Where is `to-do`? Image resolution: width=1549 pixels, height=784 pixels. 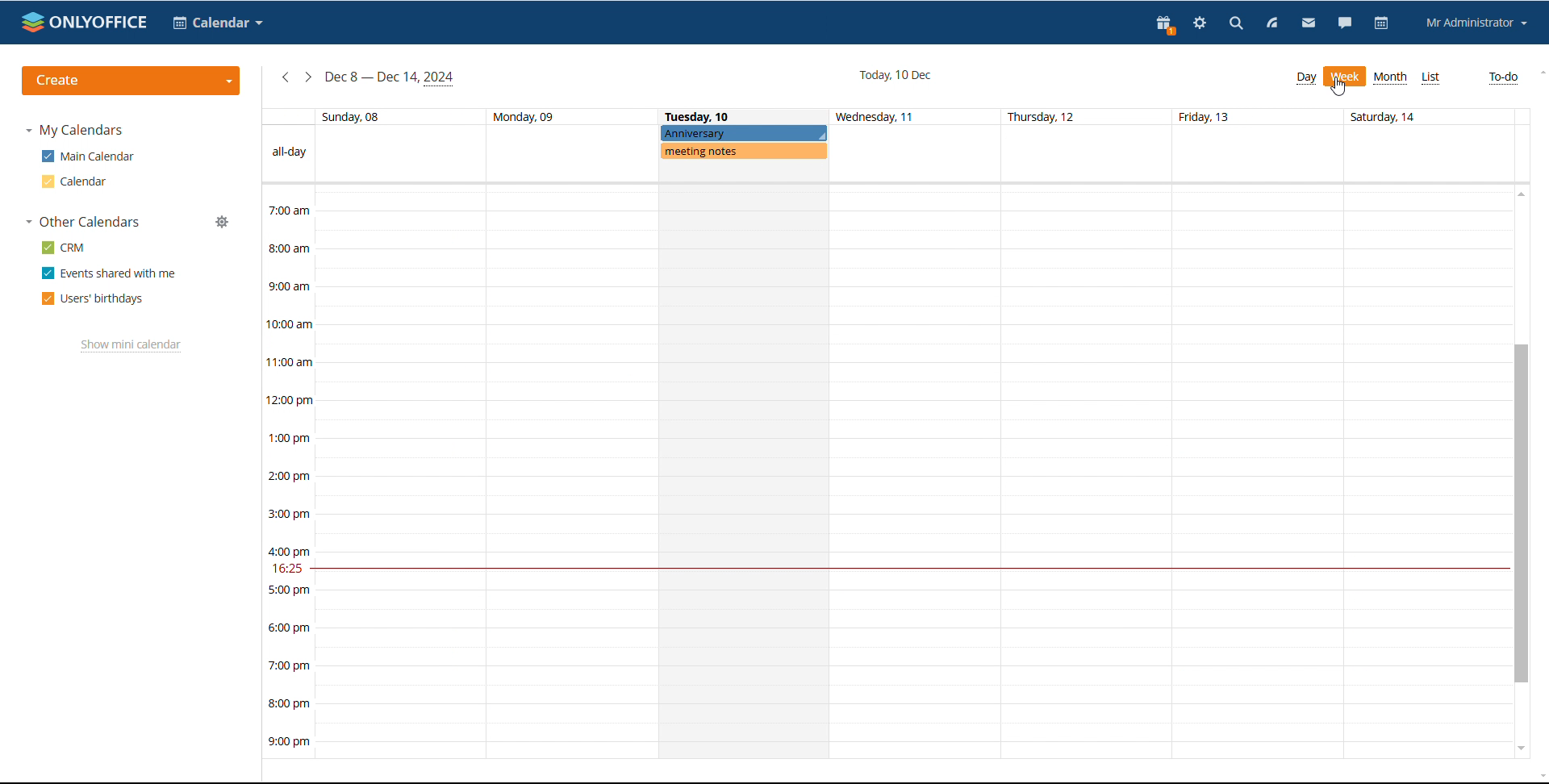
to-do is located at coordinates (1501, 78).